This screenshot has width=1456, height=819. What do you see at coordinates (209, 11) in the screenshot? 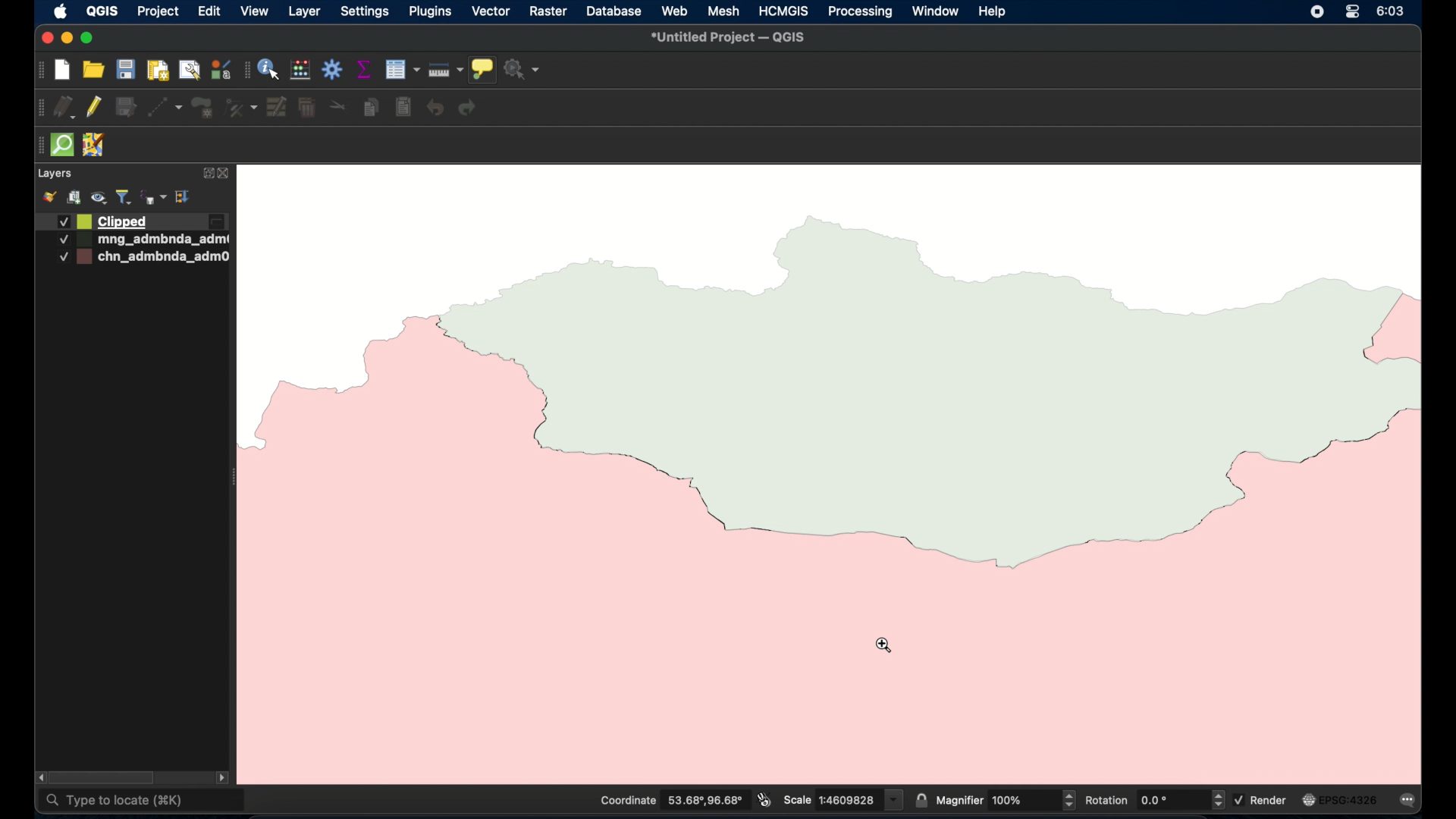
I see `edit` at bounding box center [209, 11].